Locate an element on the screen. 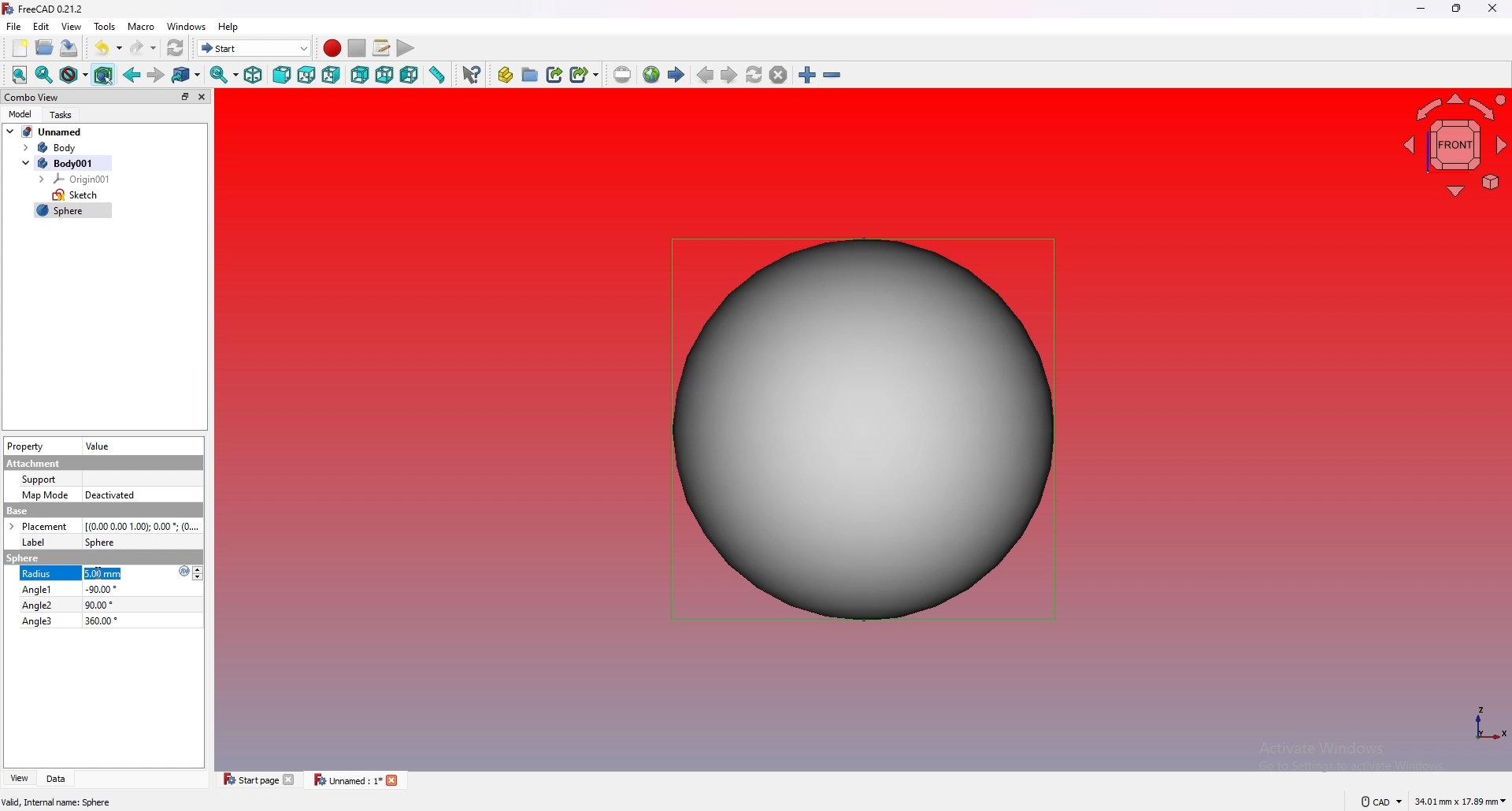 The height and width of the screenshot is (811, 1512). navigating cube is located at coordinates (1452, 143).